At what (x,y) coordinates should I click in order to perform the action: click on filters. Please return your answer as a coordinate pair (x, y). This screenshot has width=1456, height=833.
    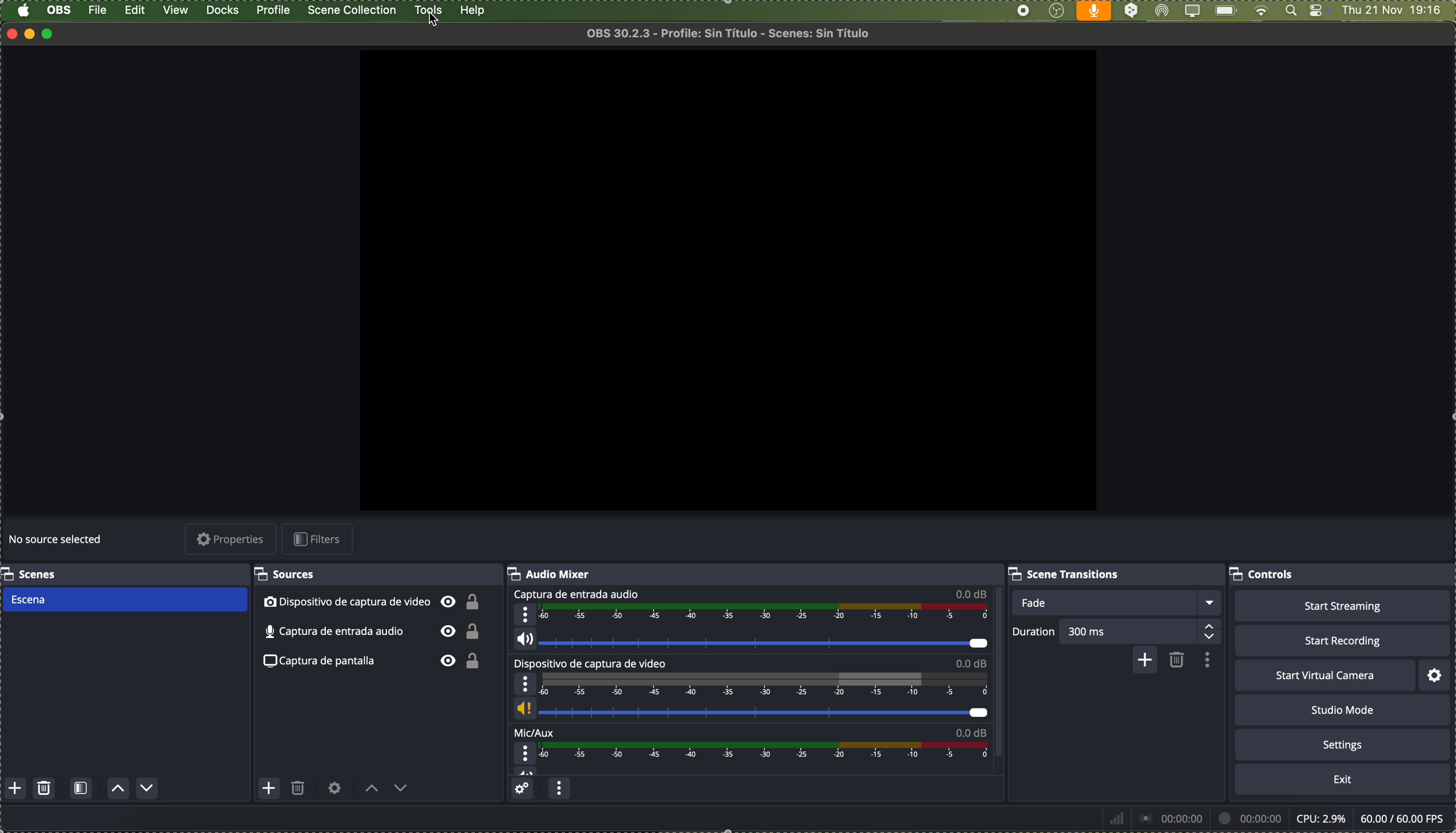
    Looking at the image, I should click on (320, 539).